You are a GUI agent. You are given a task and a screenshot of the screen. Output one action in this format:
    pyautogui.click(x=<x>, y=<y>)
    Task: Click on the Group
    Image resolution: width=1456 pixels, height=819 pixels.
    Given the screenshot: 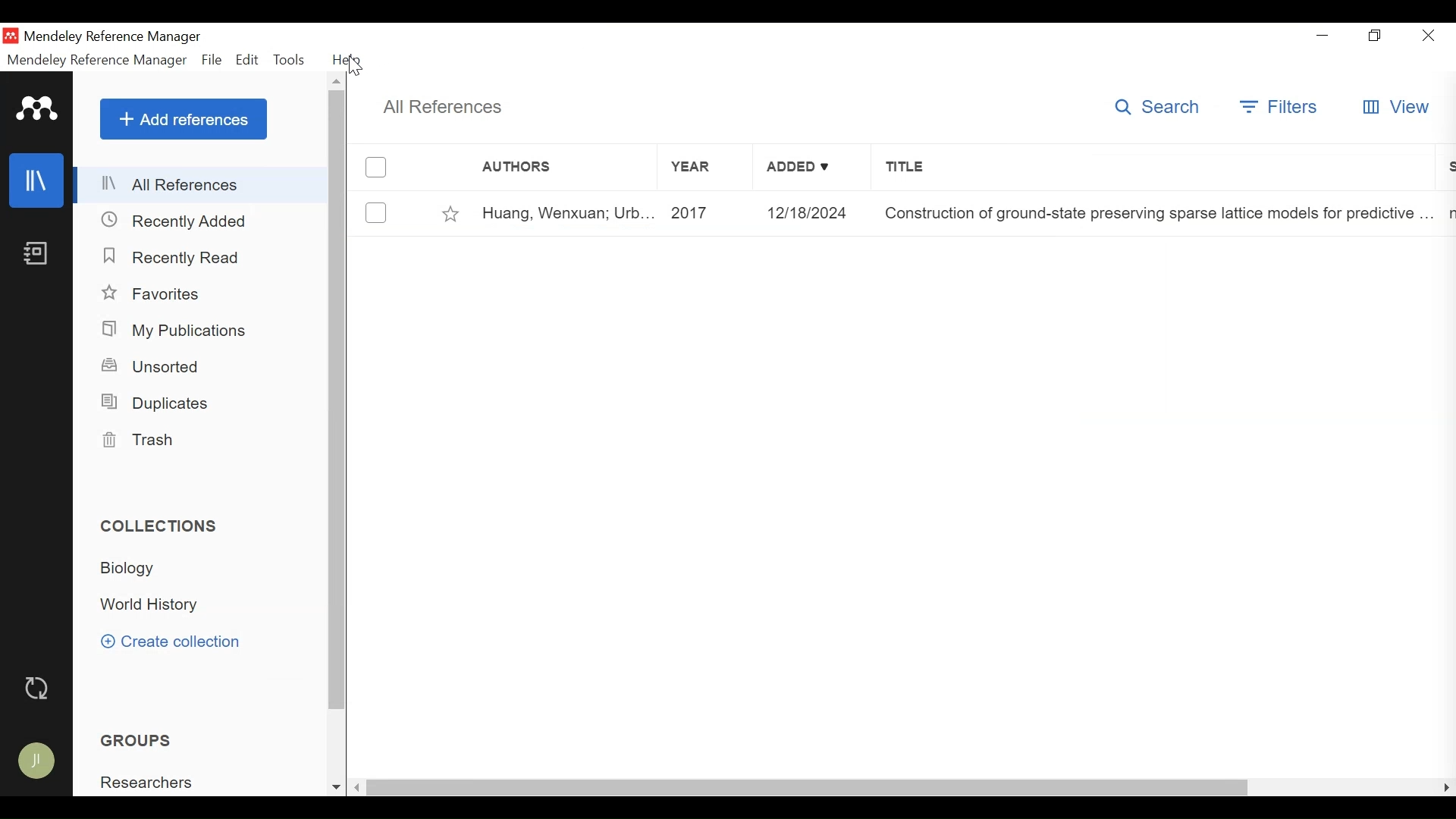 What is the action you would take?
    pyautogui.click(x=148, y=783)
    